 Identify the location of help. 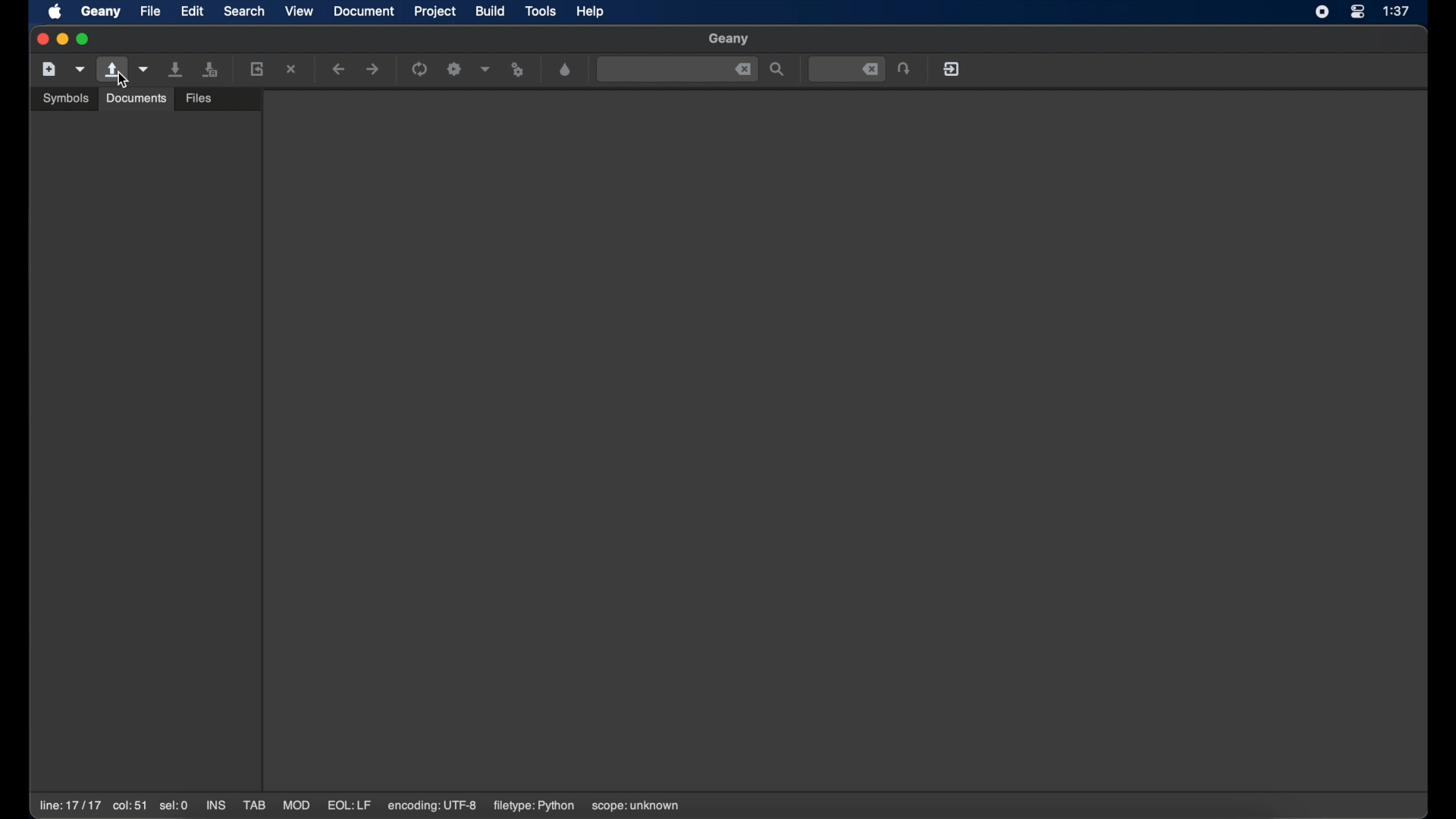
(591, 11).